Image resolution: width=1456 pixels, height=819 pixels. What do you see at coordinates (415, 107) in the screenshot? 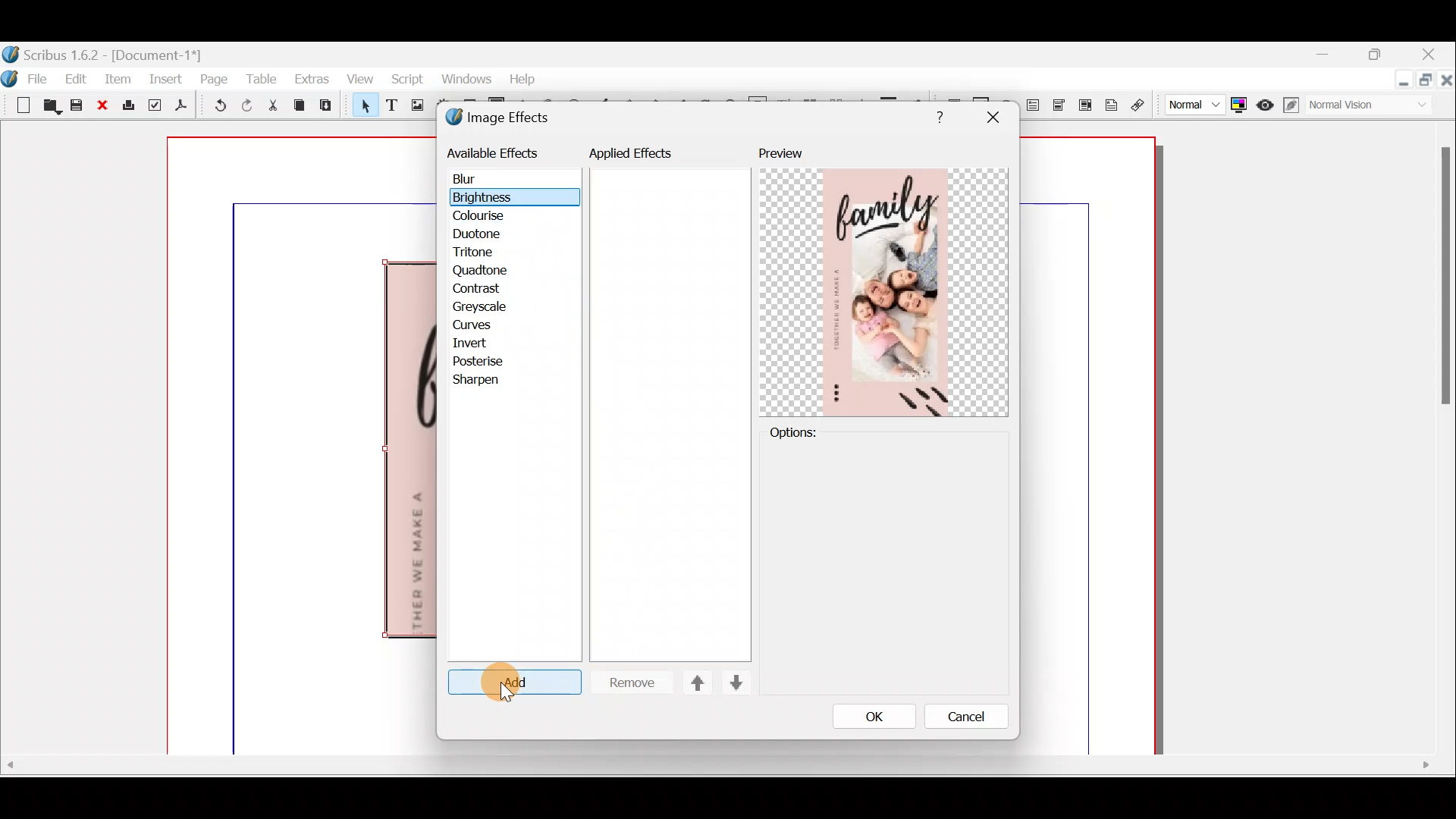
I see `Image frame` at bounding box center [415, 107].